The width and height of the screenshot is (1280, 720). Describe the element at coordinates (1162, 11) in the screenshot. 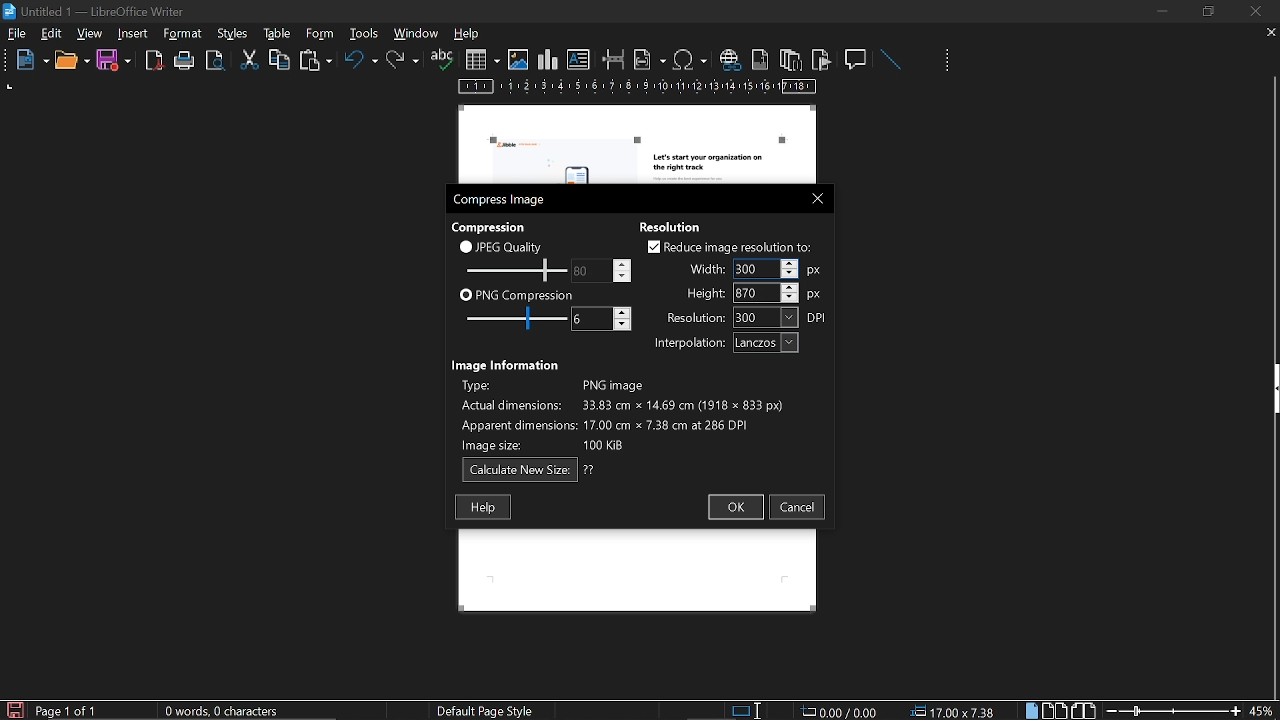

I see `minimize` at that location.